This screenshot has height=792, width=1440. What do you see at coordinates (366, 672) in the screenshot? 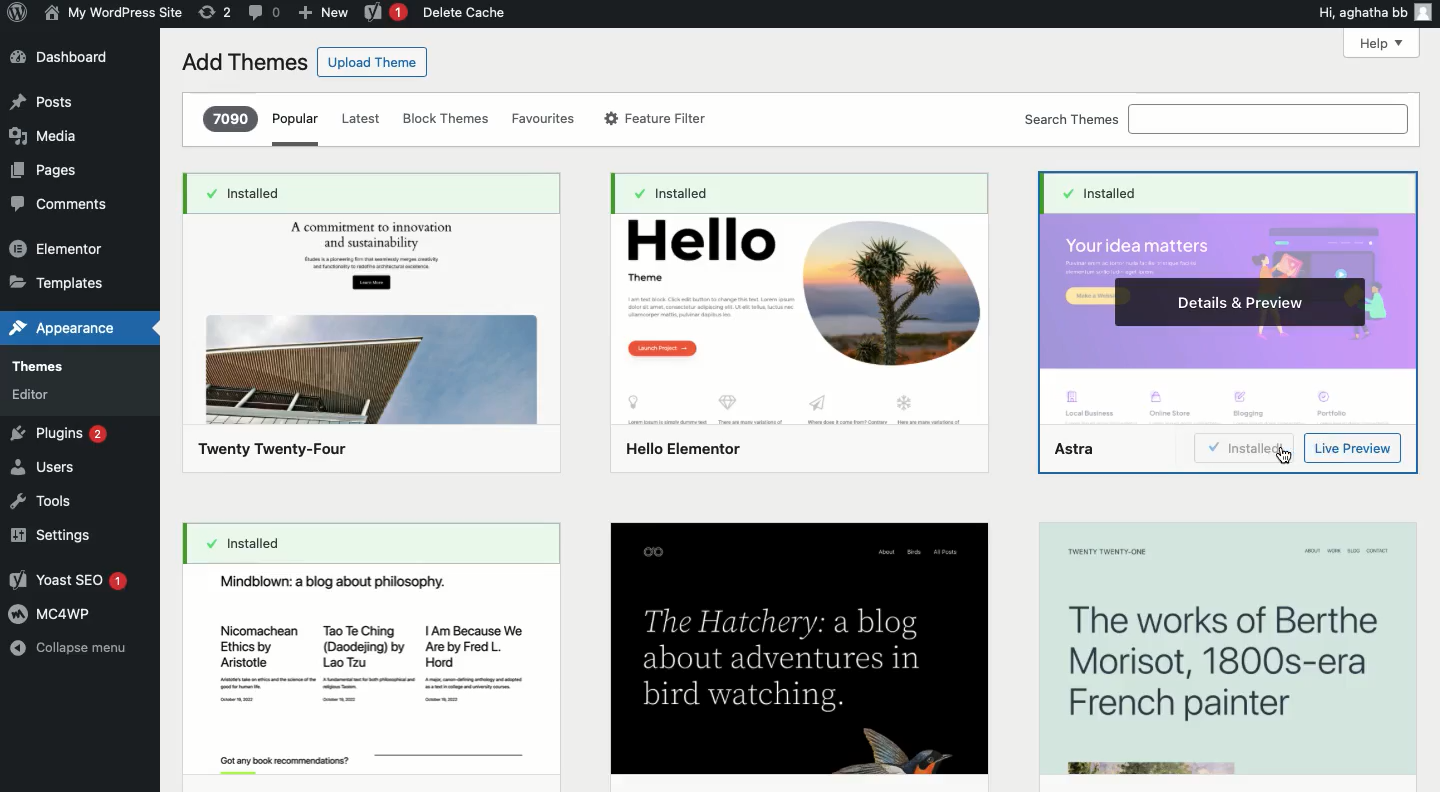
I see `Mindblown: a blog about philosophy.Nicomachean ~ TaoTeChing | Am Because WeEthics by (Daodejing) by ~~ Are by Fred L.Aristotle Lao Tzu Hord,Got any book rcommendionss?` at bounding box center [366, 672].